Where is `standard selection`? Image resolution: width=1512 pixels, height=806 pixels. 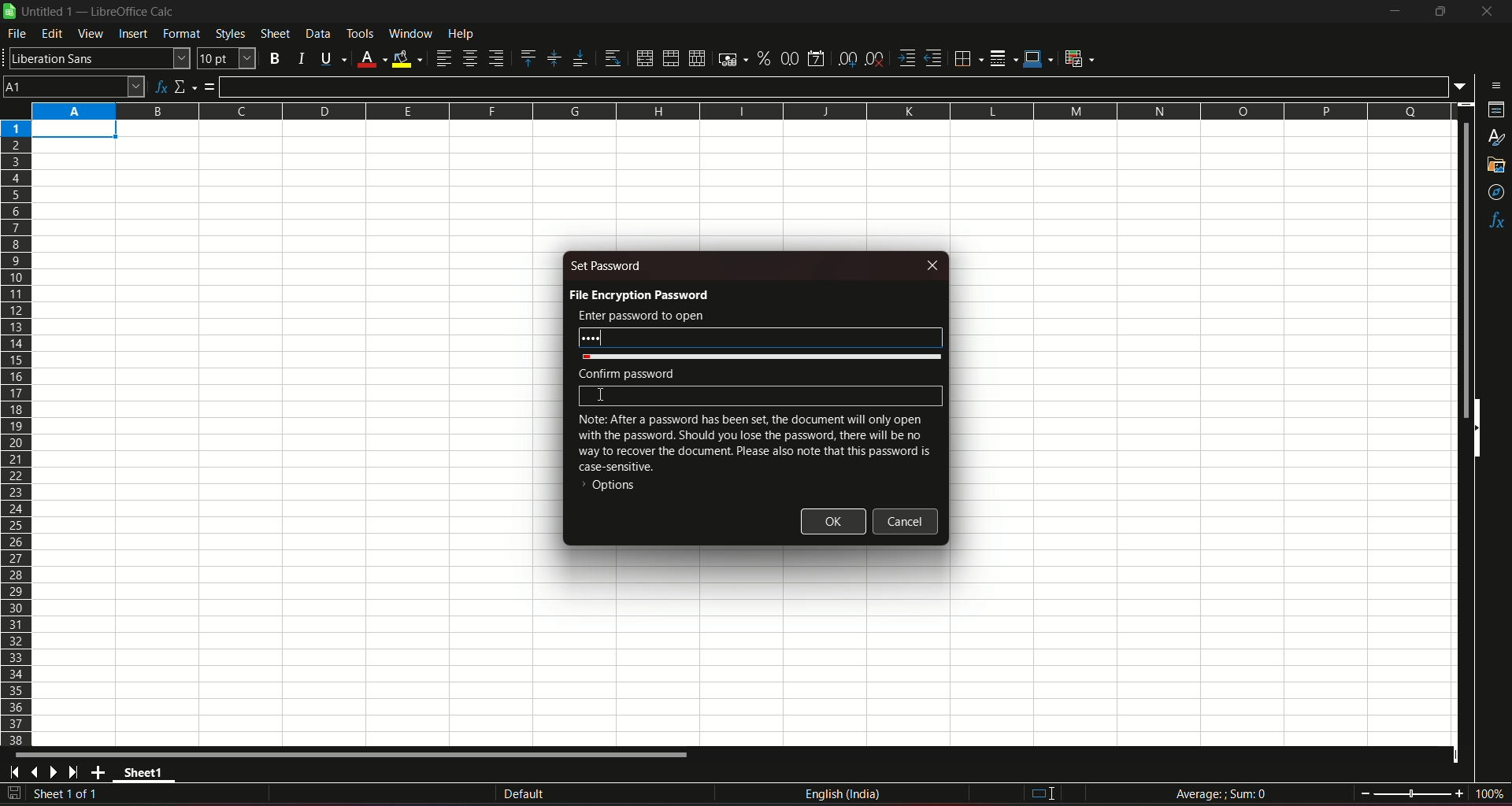 standard selection is located at coordinates (1040, 793).